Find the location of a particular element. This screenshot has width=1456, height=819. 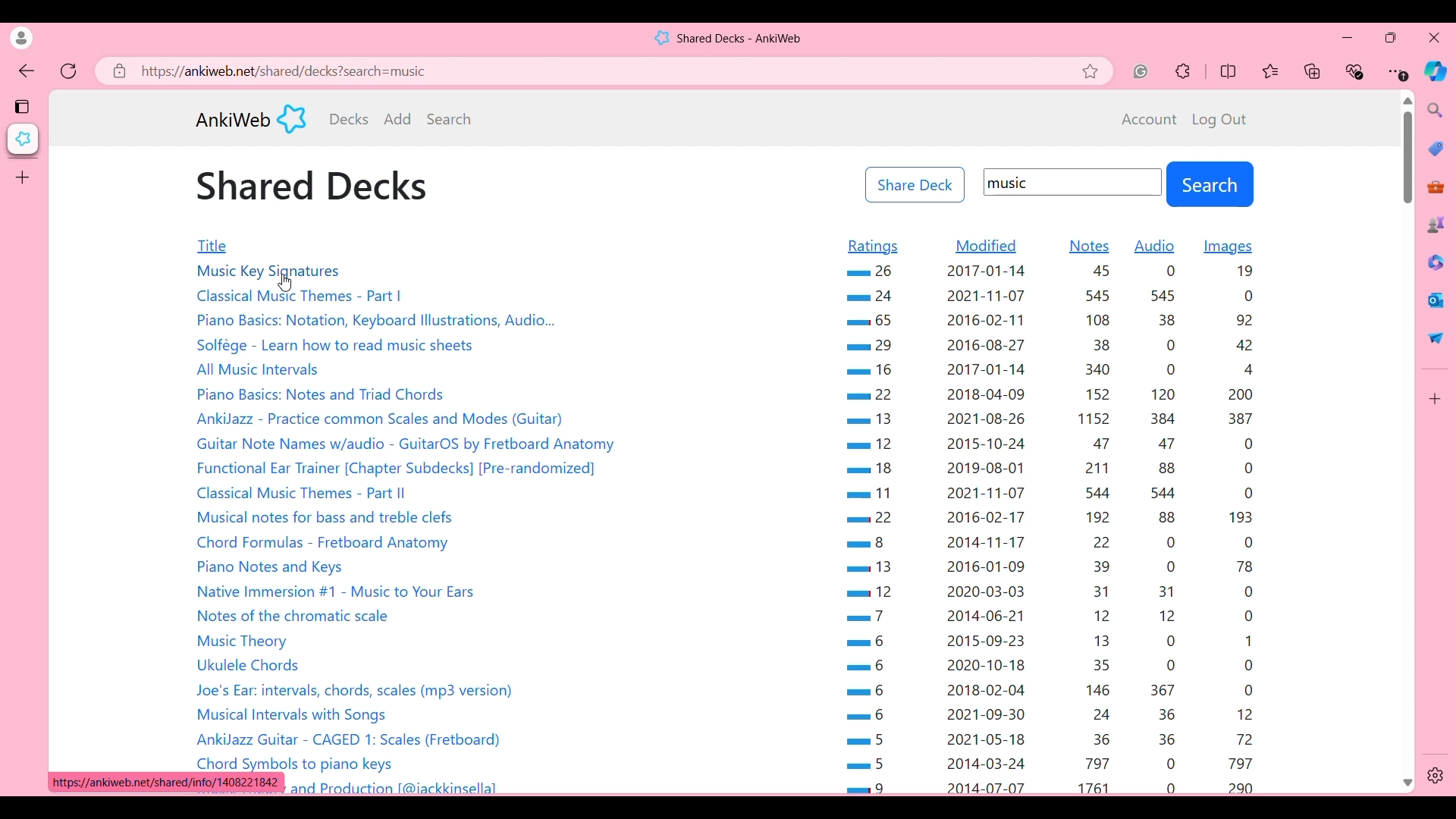

-— 12 2020-03-03 31 31 0 is located at coordinates (1056, 592).